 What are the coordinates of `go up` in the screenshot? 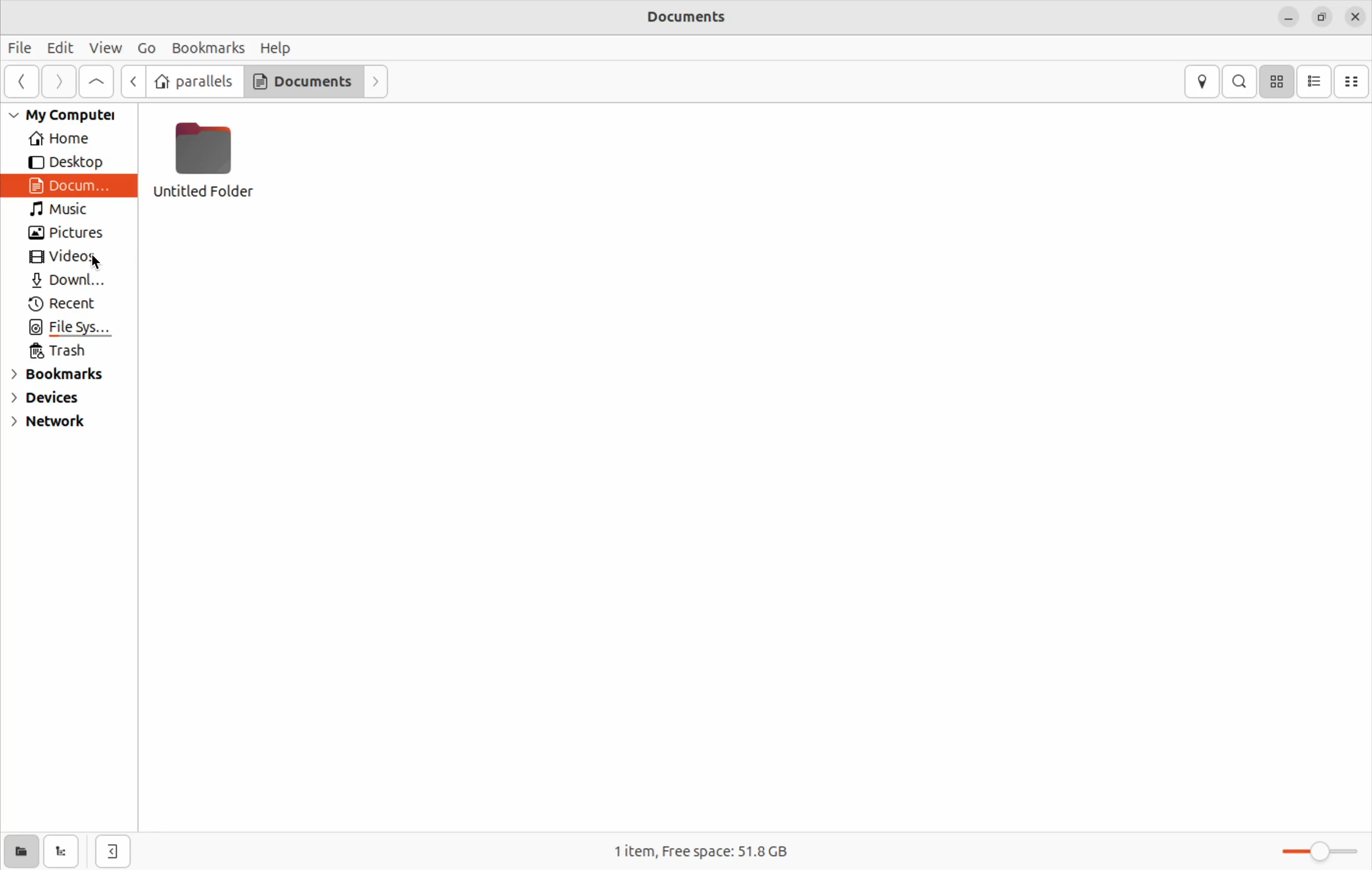 It's located at (95, 83).